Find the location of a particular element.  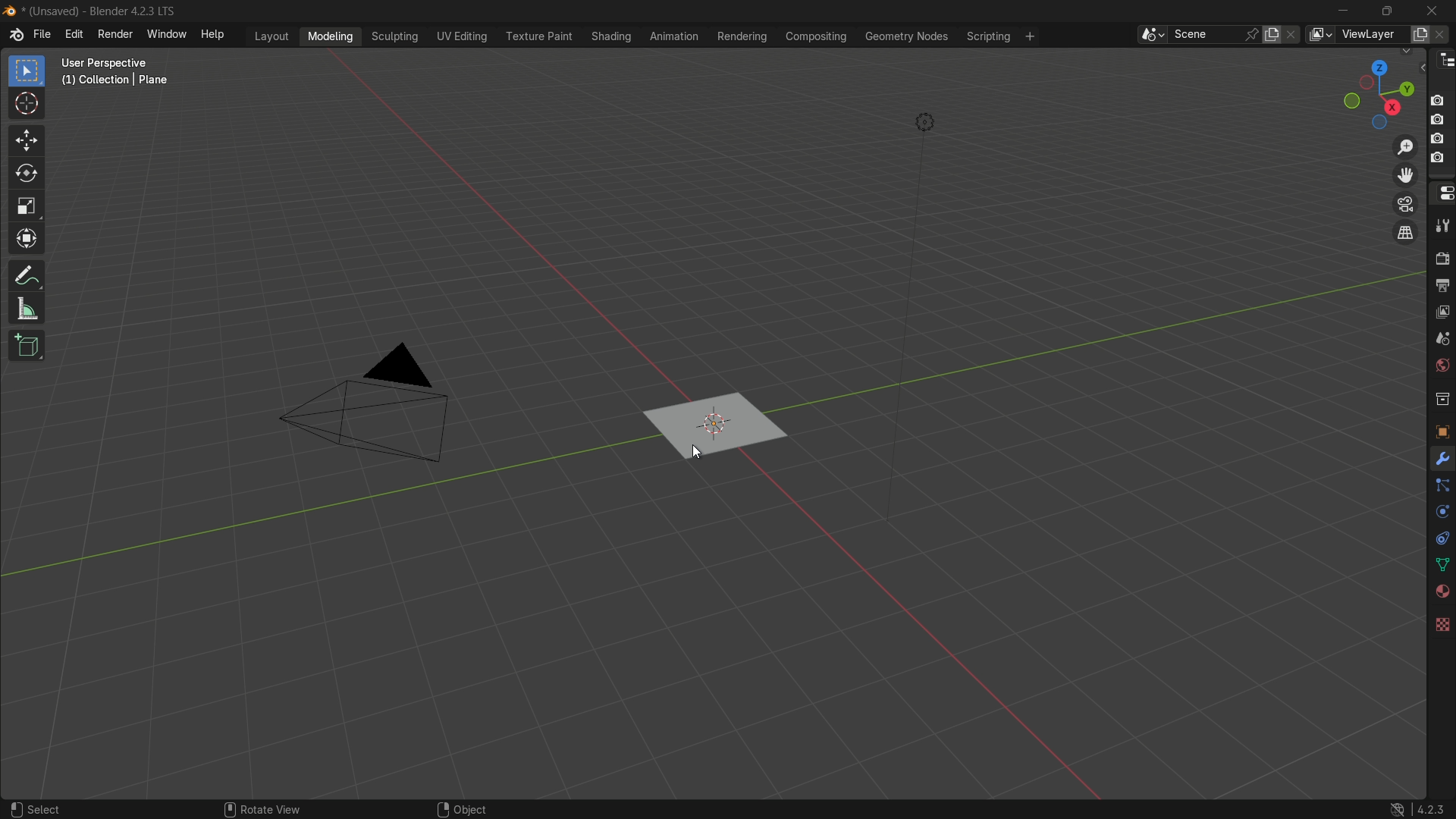

capture is located at coordinates (1439, 160).